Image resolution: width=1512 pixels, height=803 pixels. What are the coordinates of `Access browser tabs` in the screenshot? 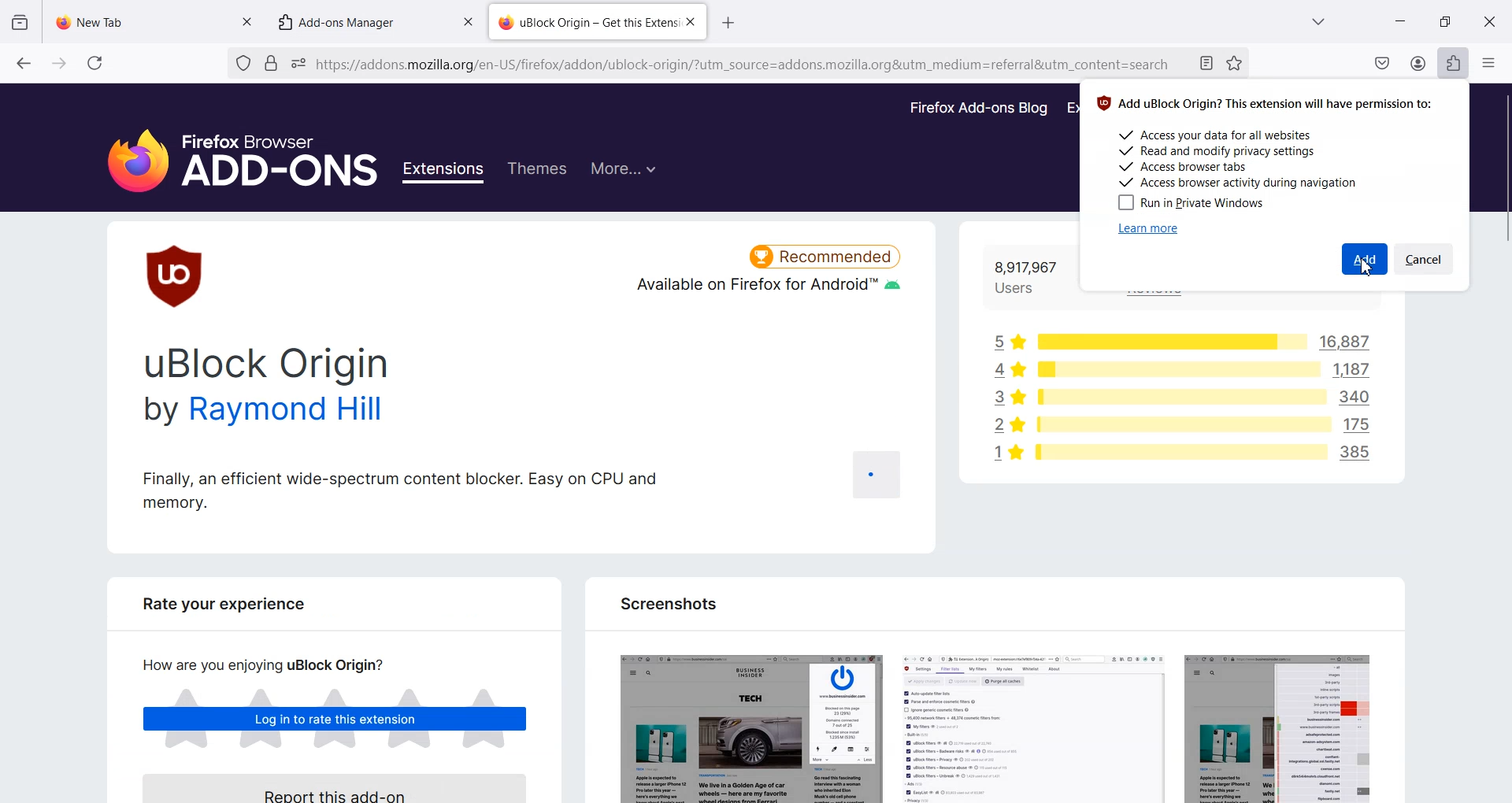 It's located at (1186, 165).